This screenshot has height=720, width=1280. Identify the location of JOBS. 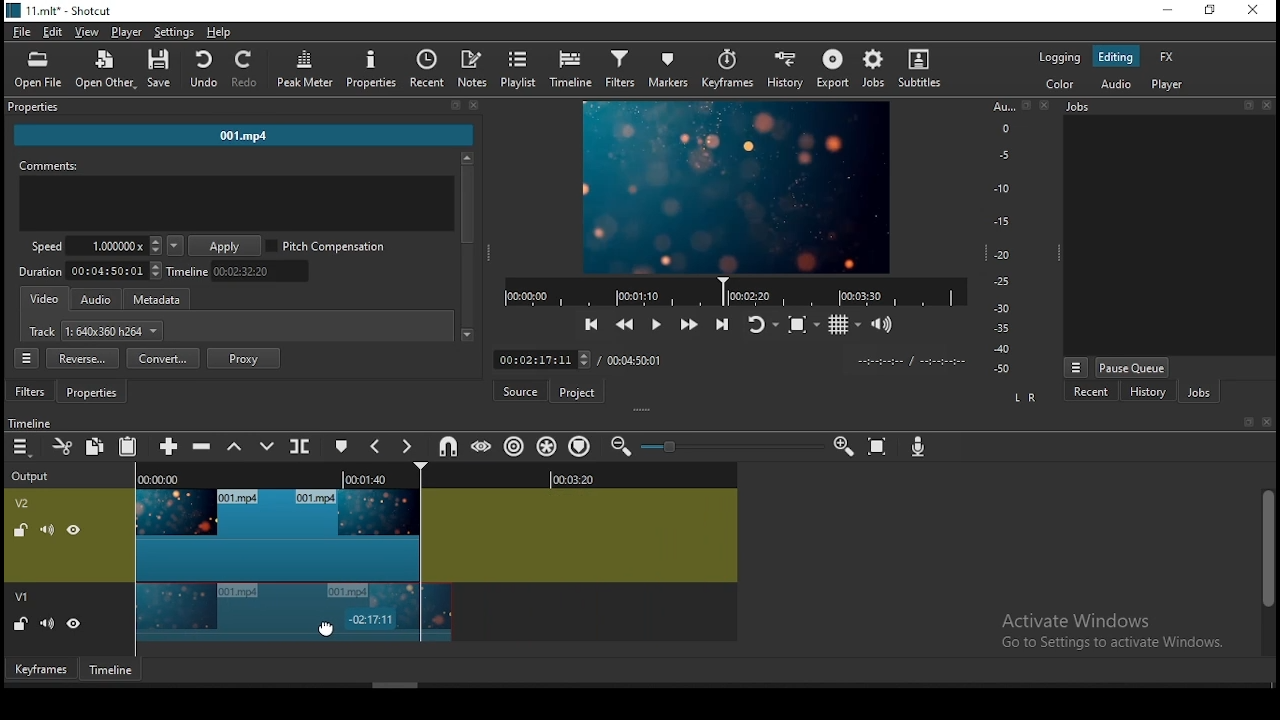
(1166, 107).